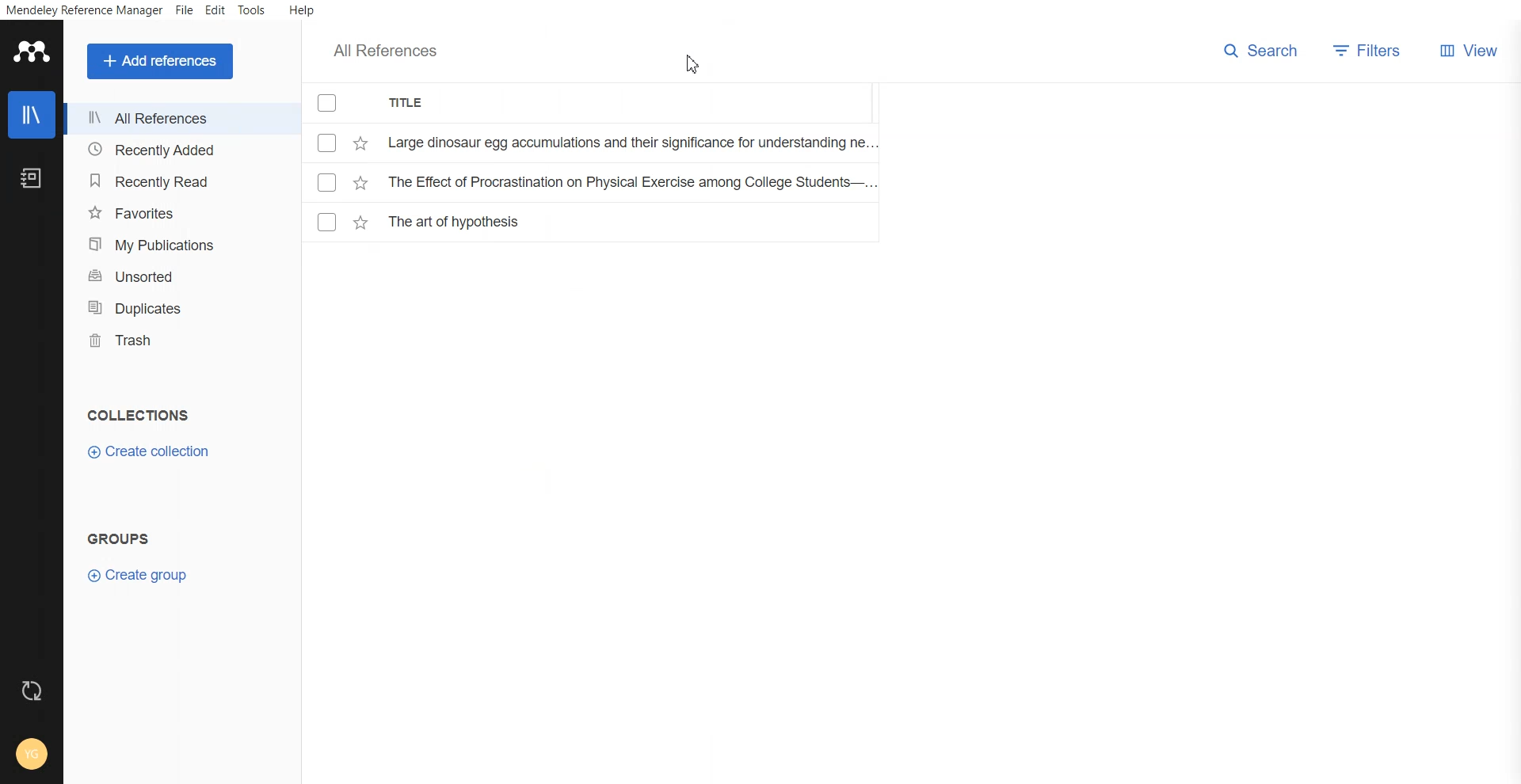 Image resolution: width=1521 pixels, height=784 pixels. What do you see at coordinates (169, 152) in the screenshot?
I see `Recently Added` at bounding box center [169, 152].